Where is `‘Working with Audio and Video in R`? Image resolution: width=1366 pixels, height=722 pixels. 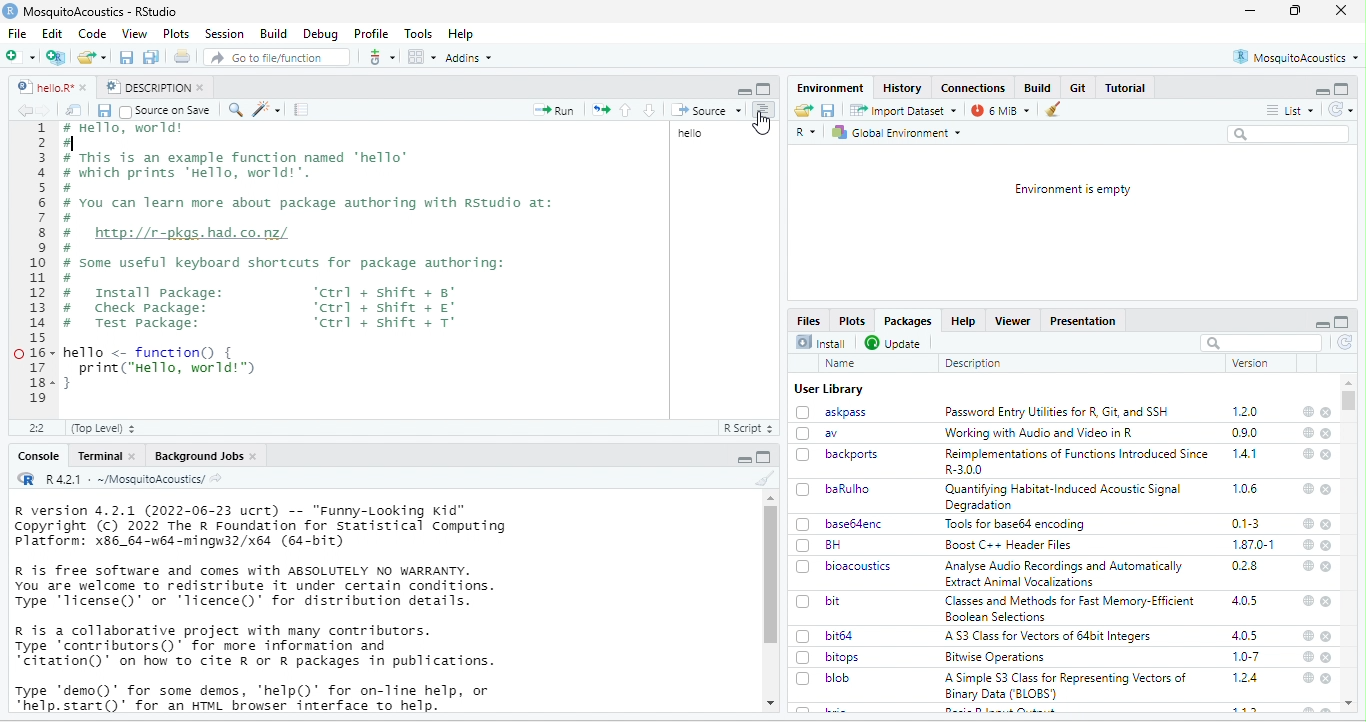
‘Working with Audio and Video in R is located at coordinates (1039, 432).